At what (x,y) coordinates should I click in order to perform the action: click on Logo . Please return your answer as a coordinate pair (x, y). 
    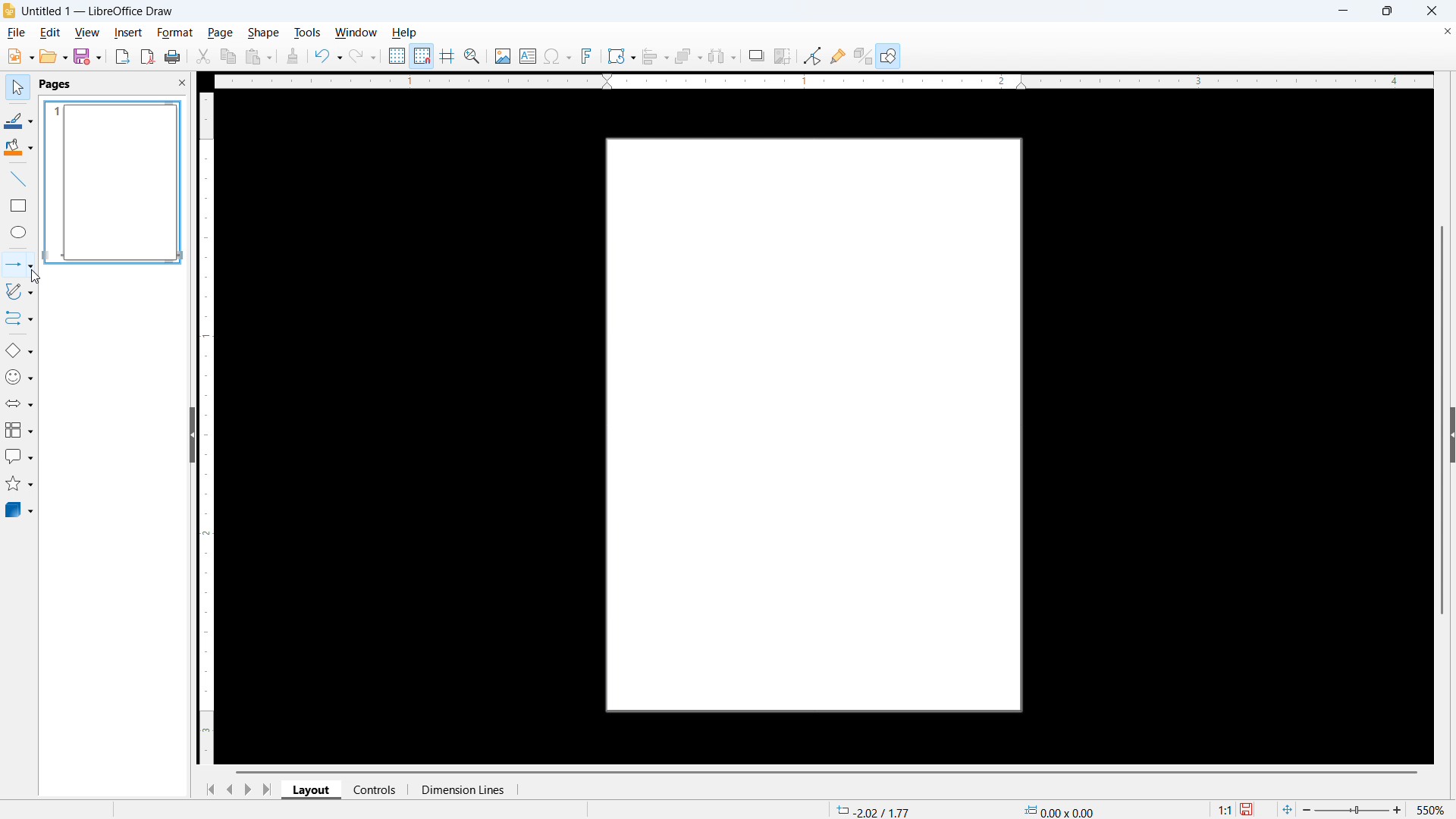
    Looking at the image, I should click on (10, 11).